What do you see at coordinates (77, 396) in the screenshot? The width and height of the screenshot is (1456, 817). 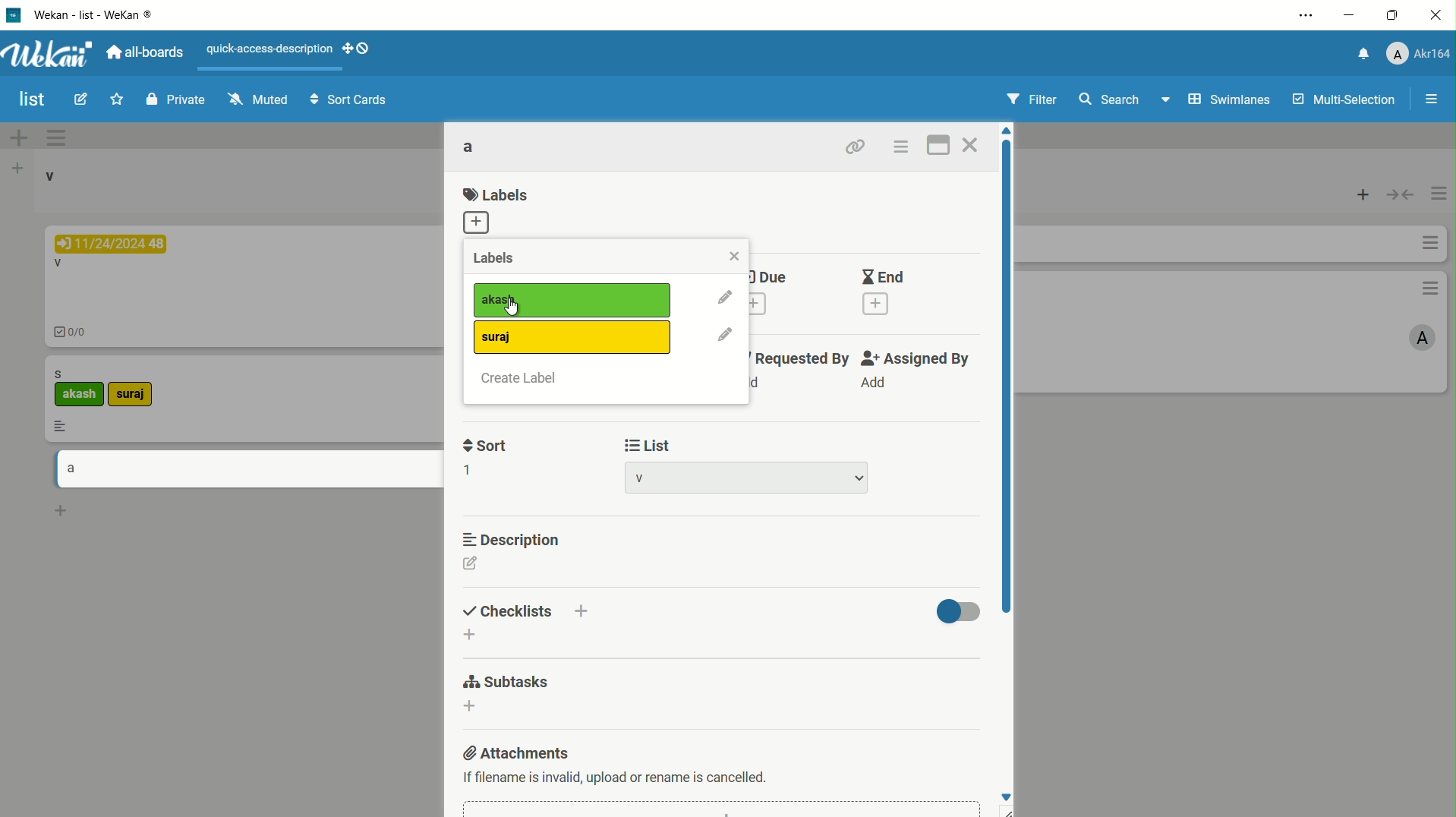 I see `akash` at bounding box center [77, 396].